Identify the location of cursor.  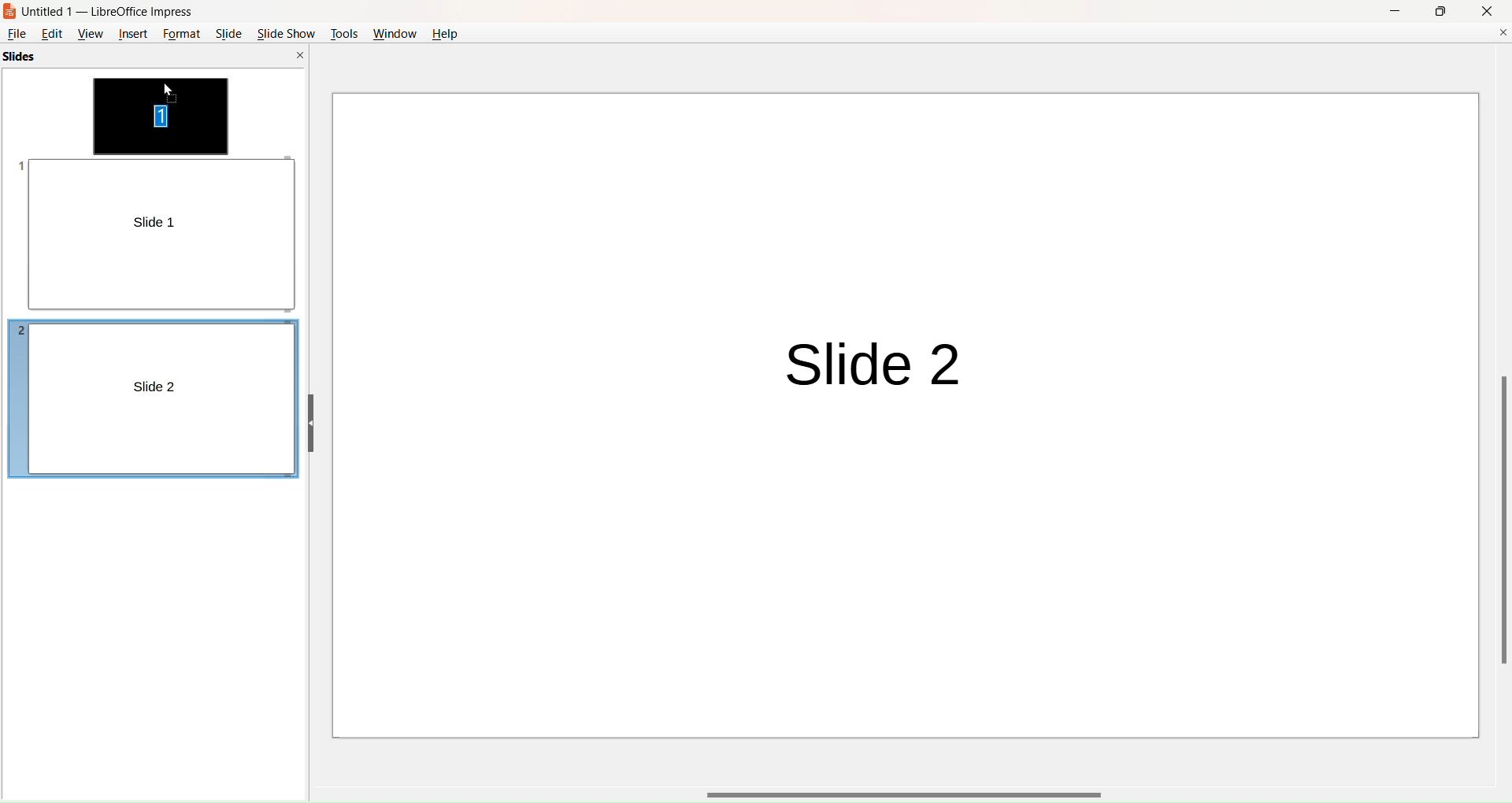
(169, 91).